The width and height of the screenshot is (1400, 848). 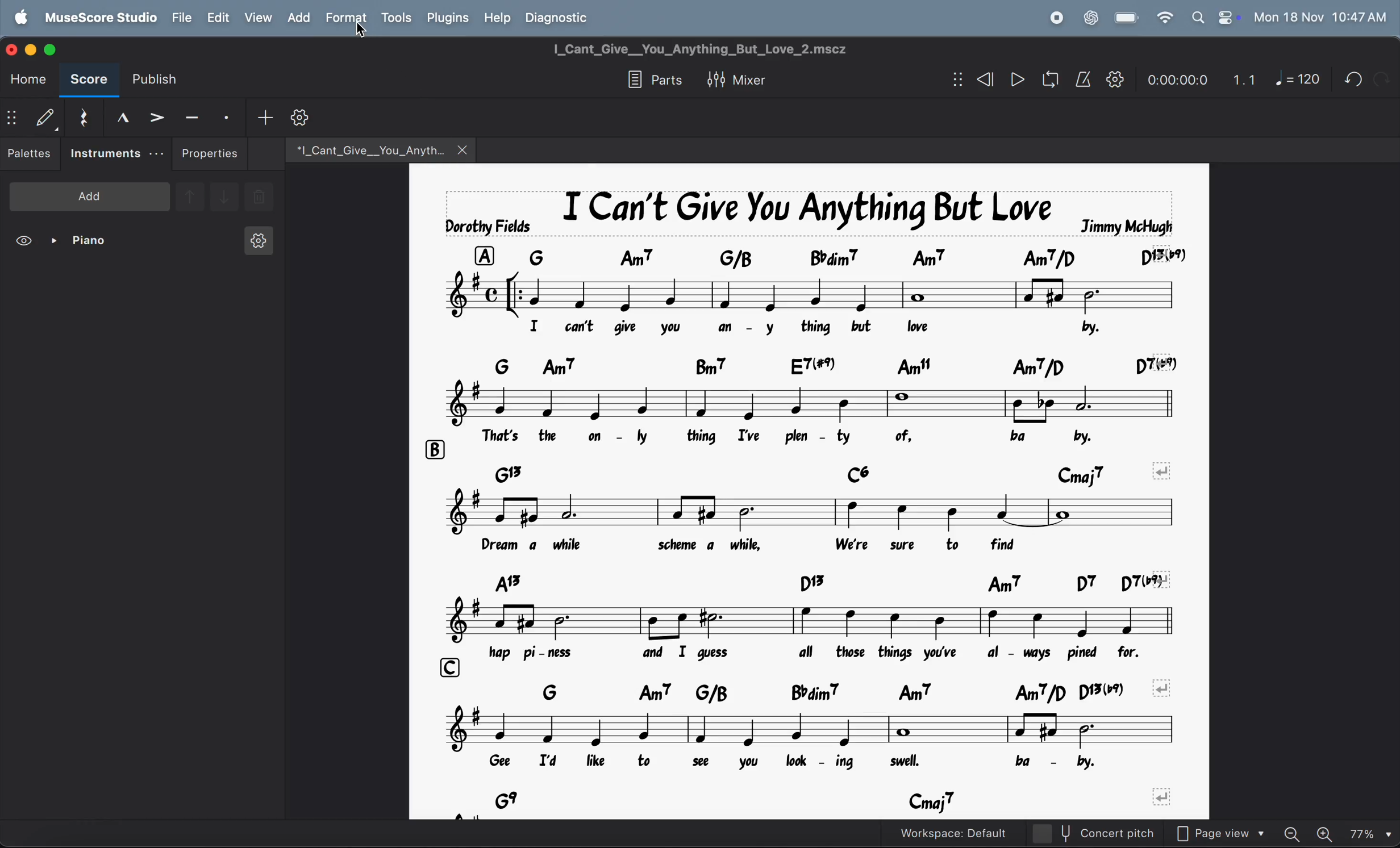 I want to click on properties, so click(x=210, y=153).